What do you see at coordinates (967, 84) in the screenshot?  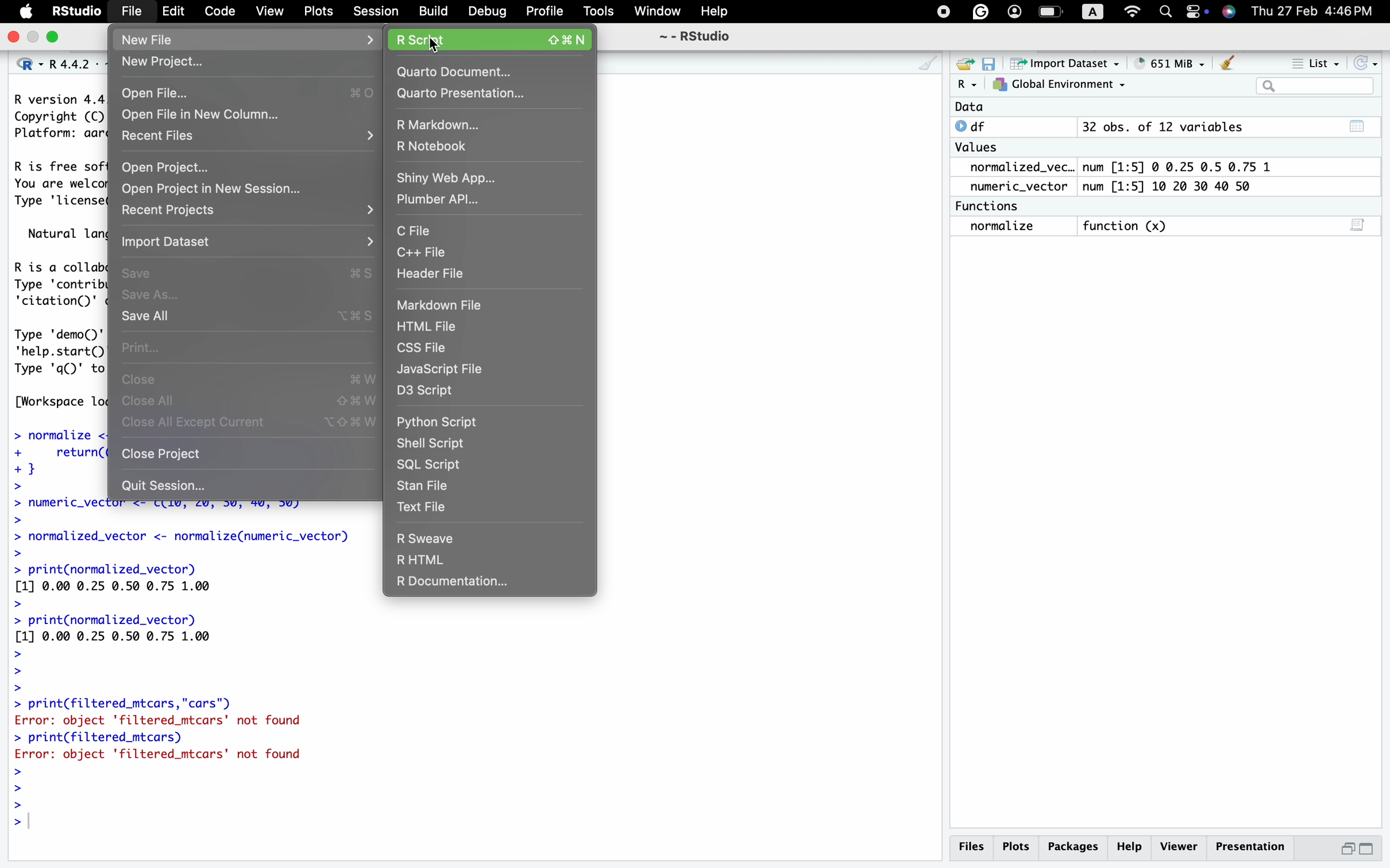 I see `R ` at bounding box center [967, 84].